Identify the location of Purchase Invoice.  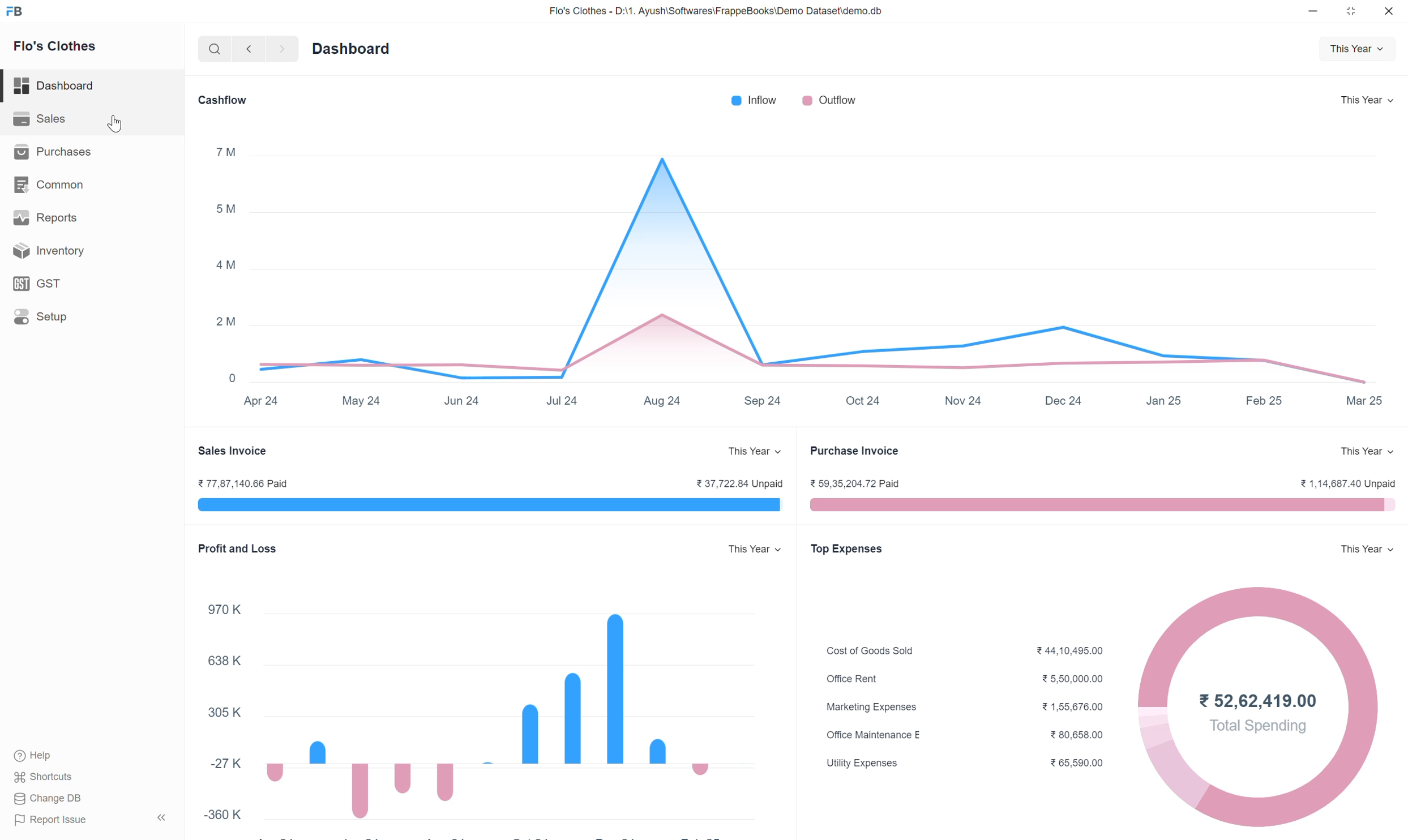
(851, 452).